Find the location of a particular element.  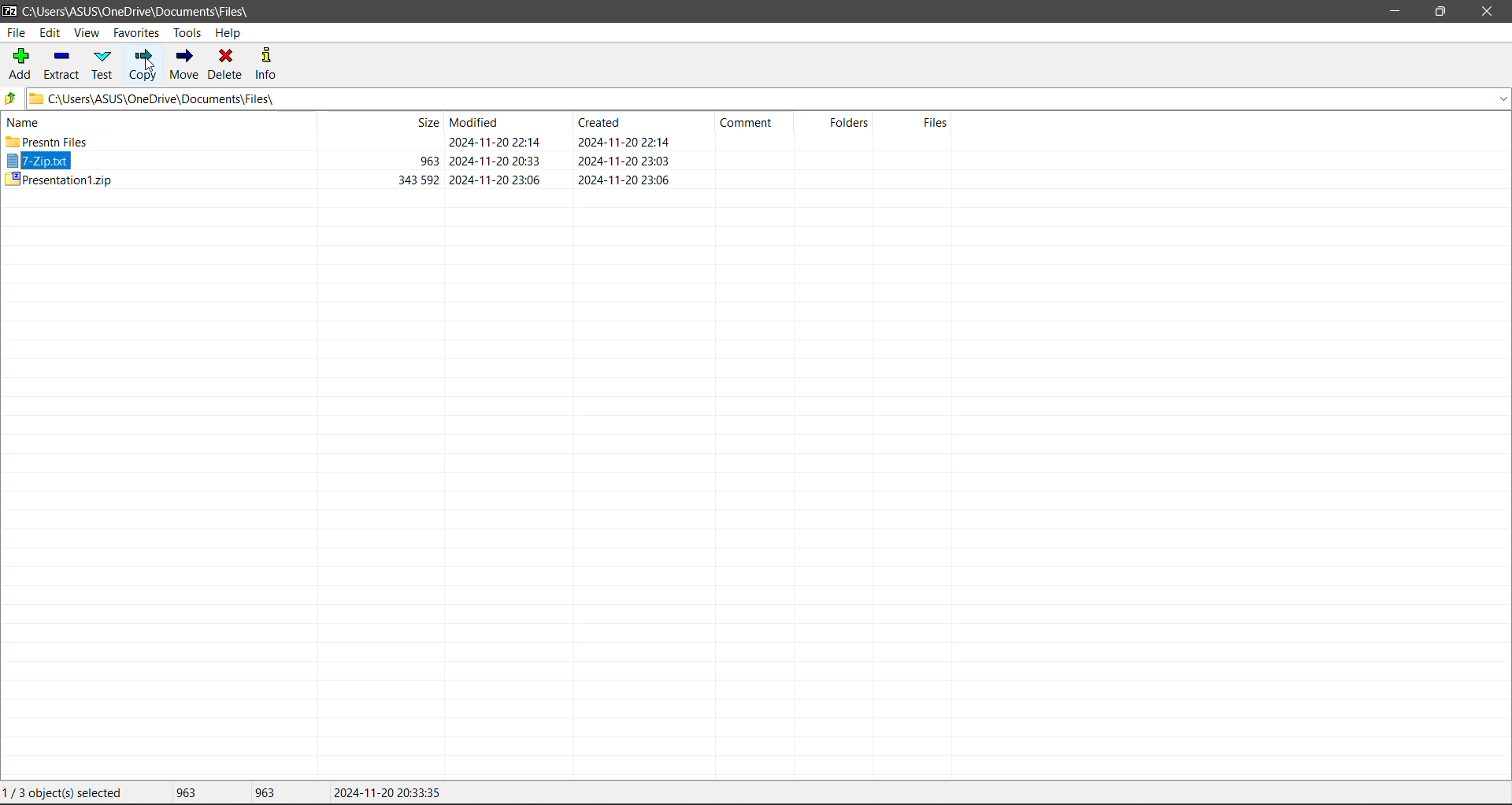

Modified Date of the last file selected is located at coordinates (387, 793).